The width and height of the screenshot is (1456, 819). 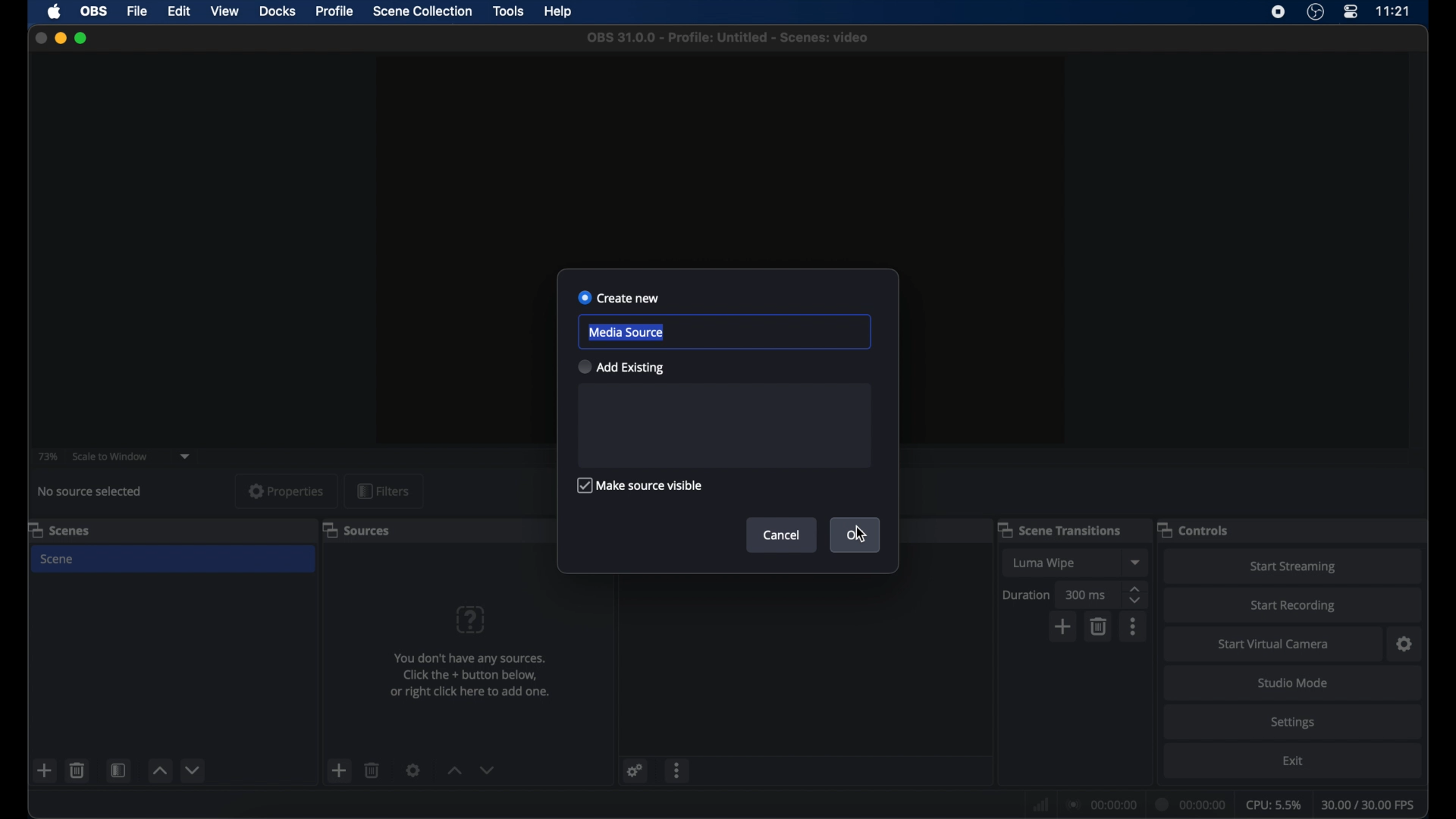 What do you see at coordinates (677, 770) in the screenshot?
I see `more options` at bounding box center [677, 770].